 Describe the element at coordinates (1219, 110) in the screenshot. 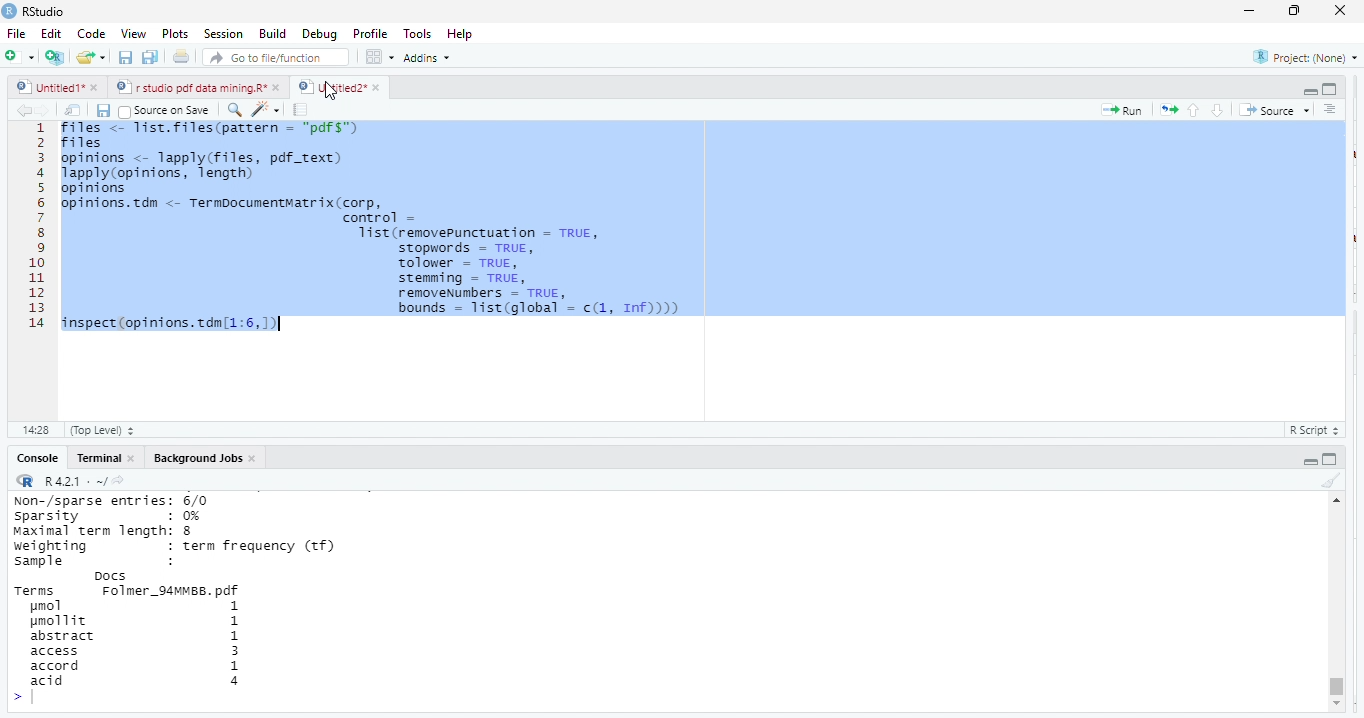

I see `go to next section/chunk` at that location.